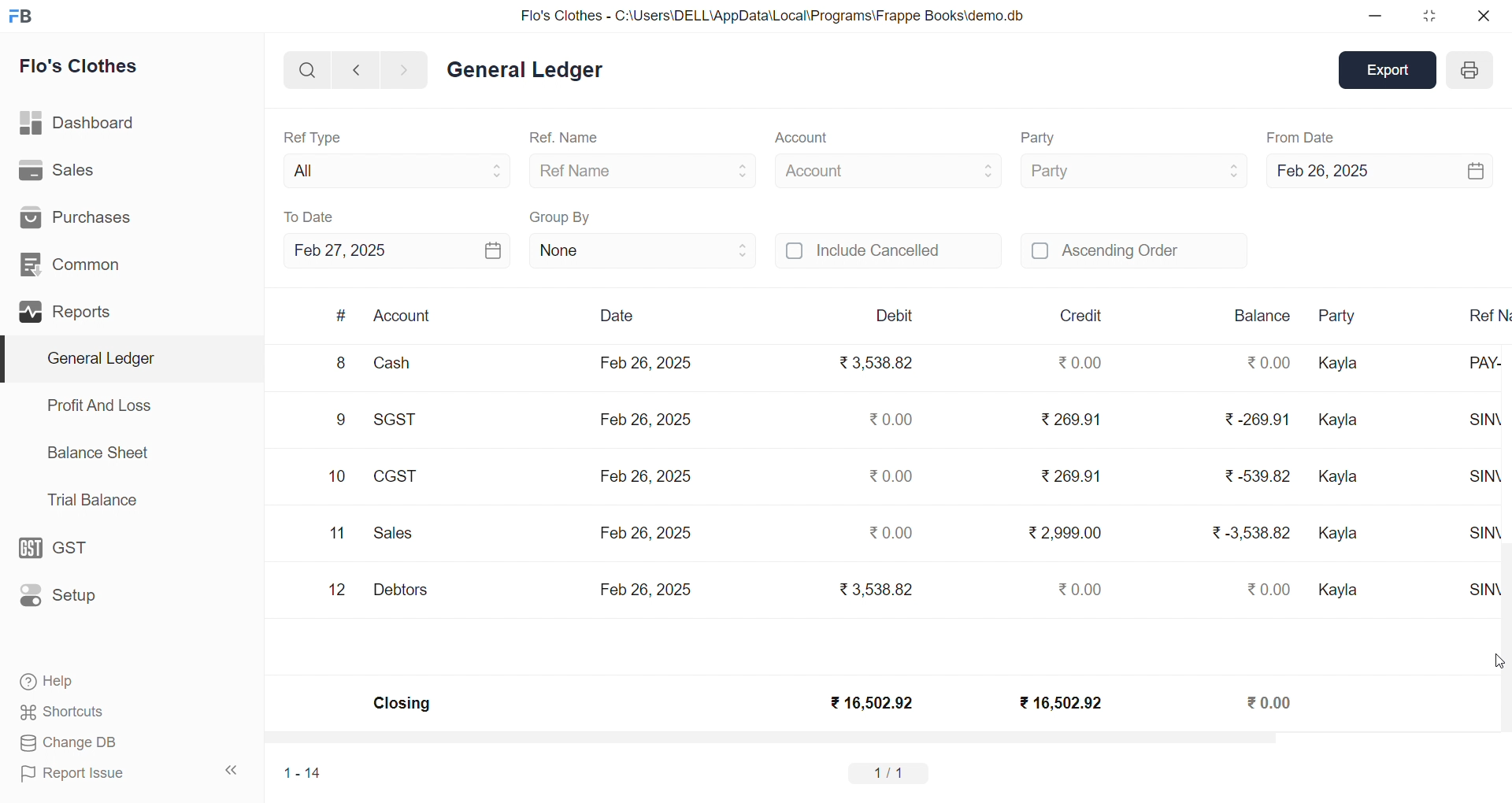  Describe the element at coordinates (616, 316) in the screenshot. I see `Date` at that location.